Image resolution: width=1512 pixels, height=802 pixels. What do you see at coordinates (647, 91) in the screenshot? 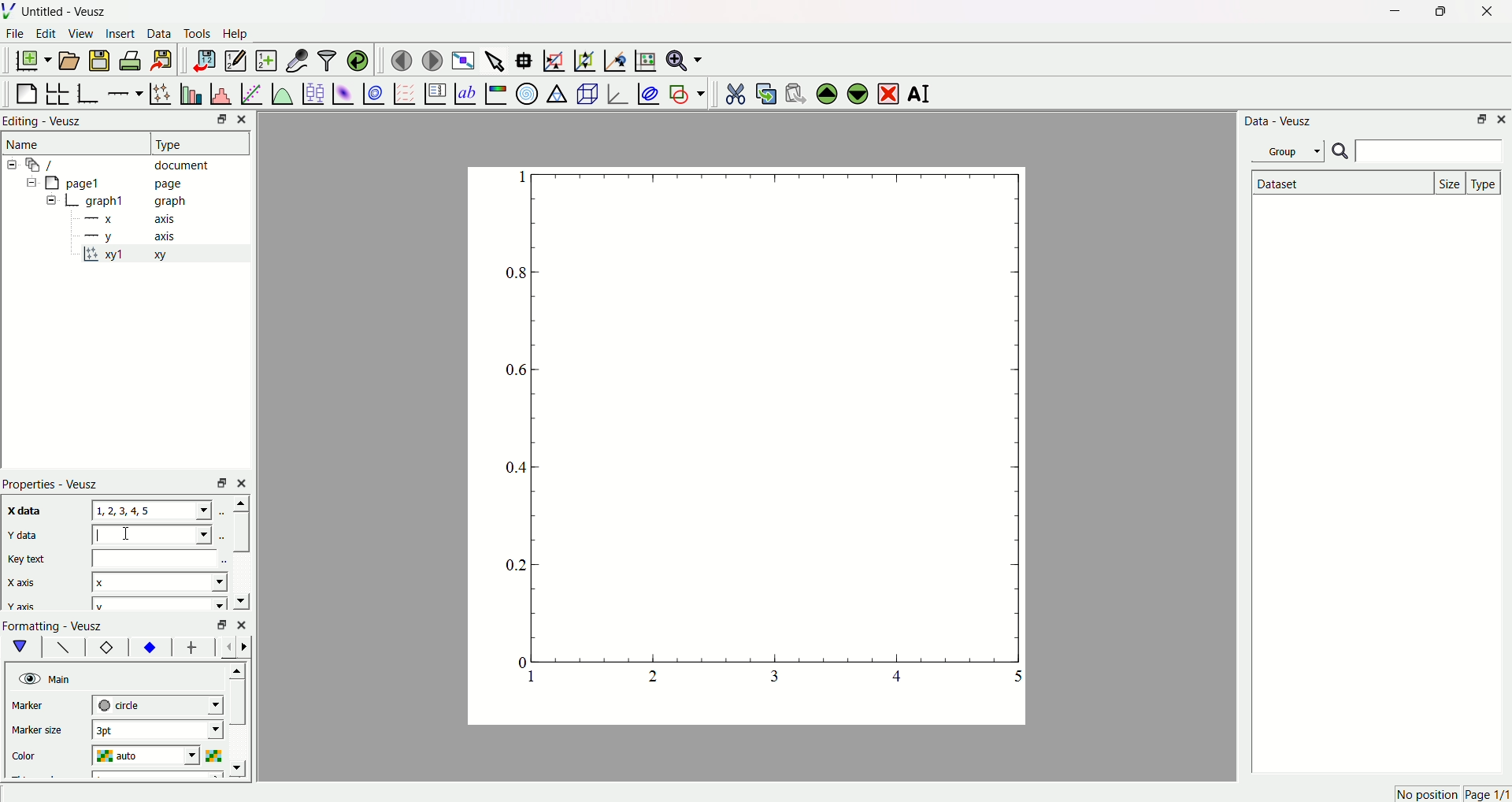
I see `plot covariance ellipses` at bounding box center [647, 91].